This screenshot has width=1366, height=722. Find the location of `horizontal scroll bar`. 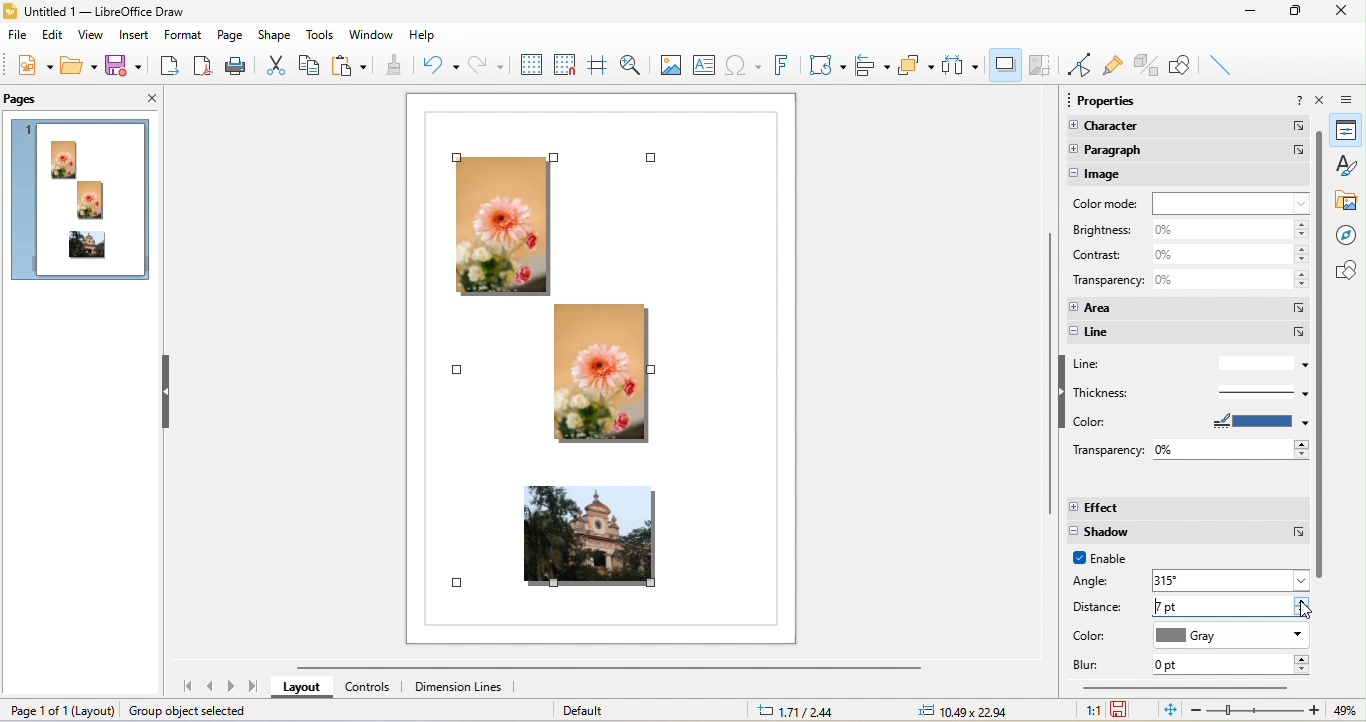

horizontal scroll bar is located at coordinates (623, 669).